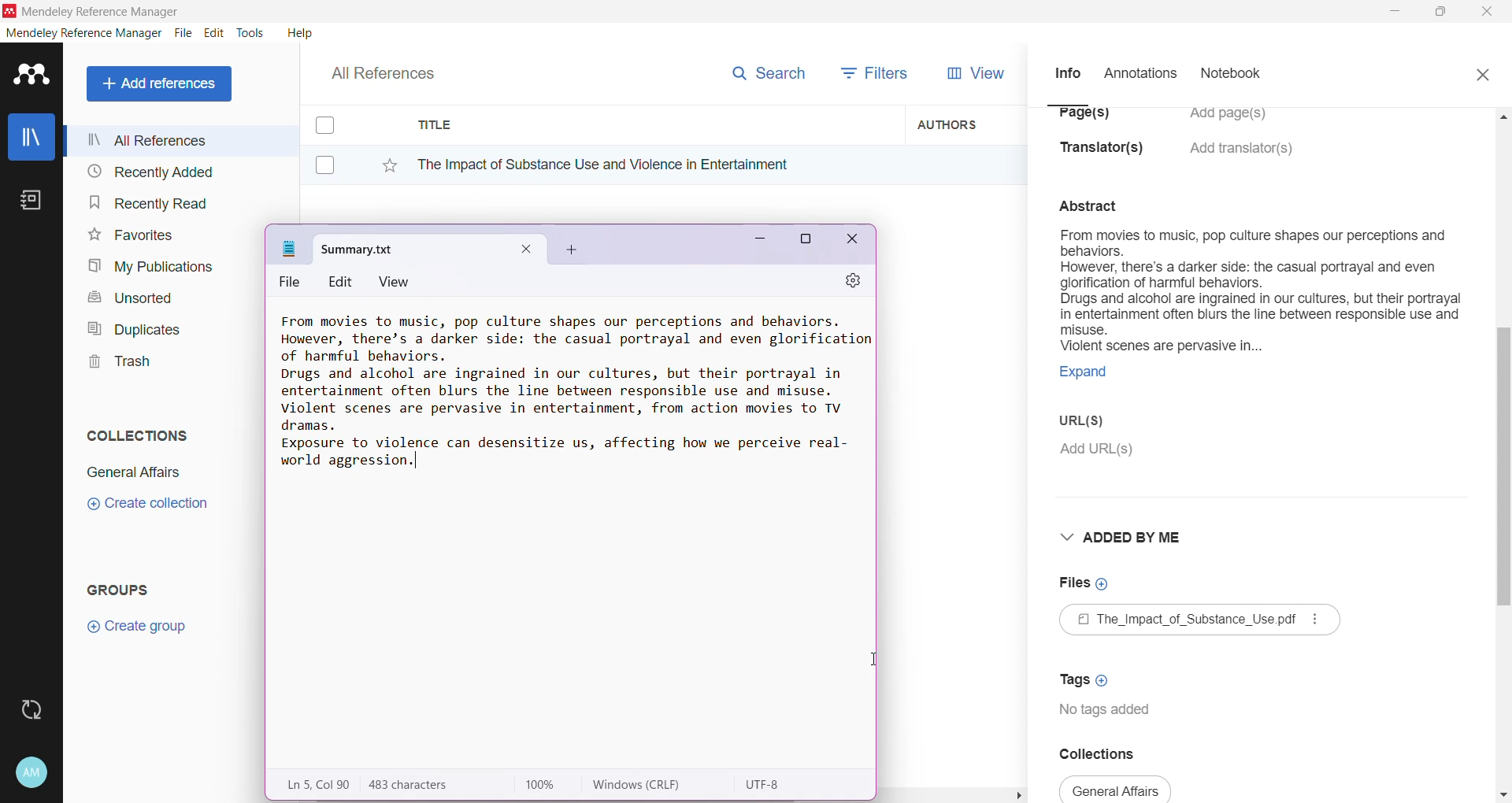 The width and height of the screenshot is (1512, 803). Describe the element at coordinates (38, 708) in the screenshot. I see `Last Sync` at that location.